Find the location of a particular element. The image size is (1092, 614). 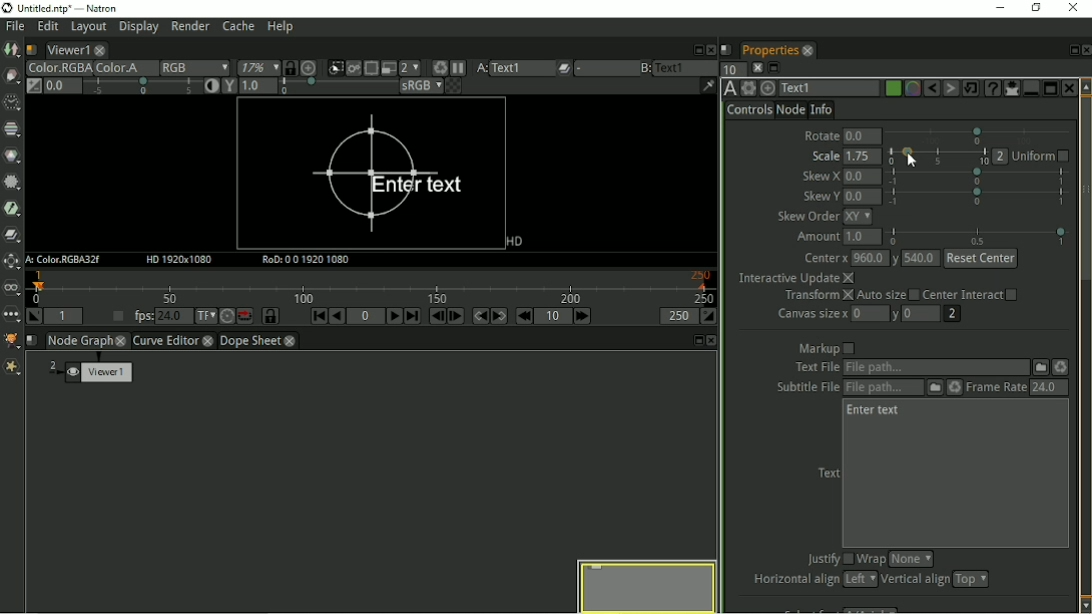

Color A is located at coordinates (119, 68).